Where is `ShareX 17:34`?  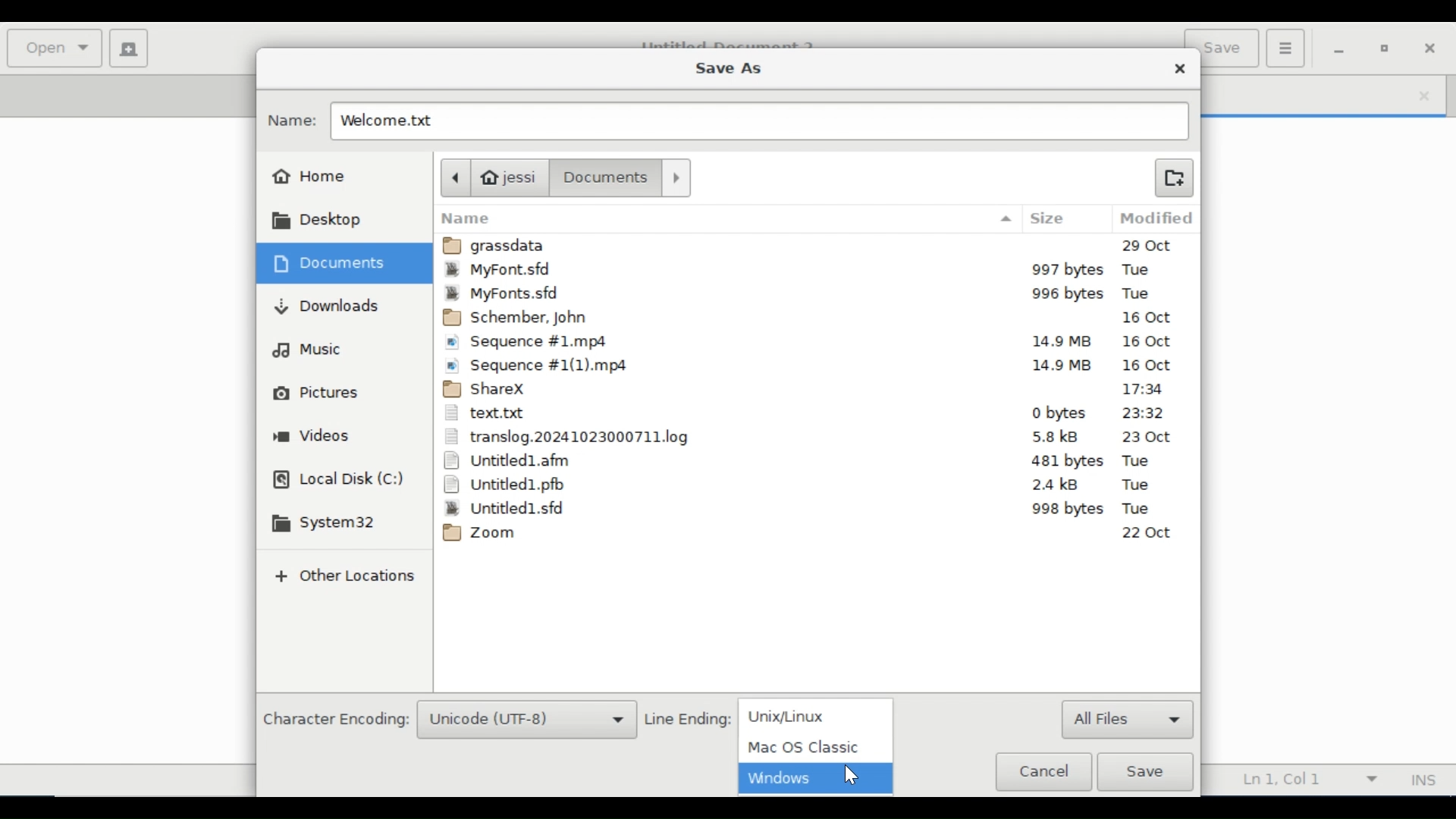
ShareX 17:34 is located at coordinates (813, 390).